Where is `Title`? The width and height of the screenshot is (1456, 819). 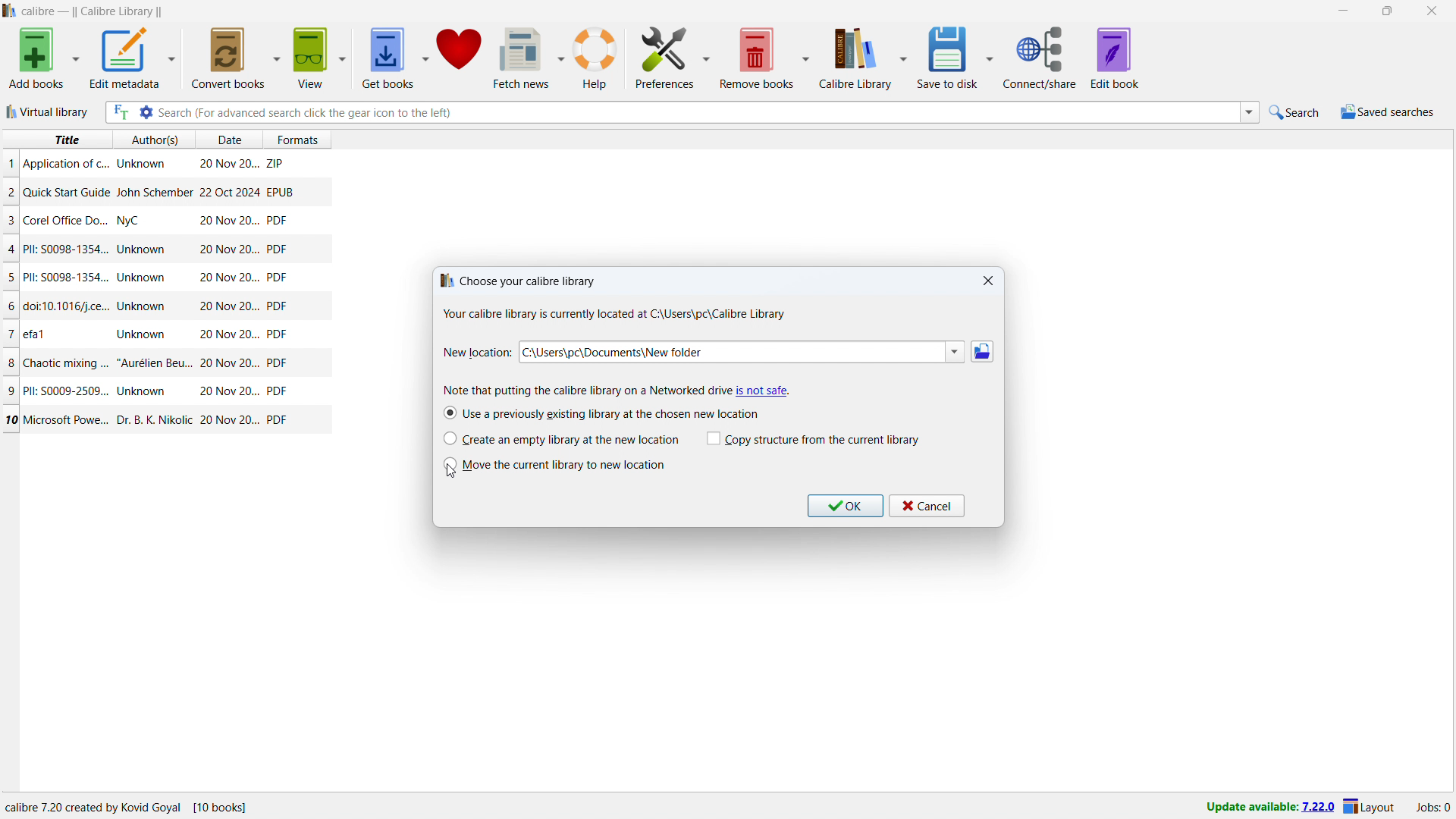 Title is located at coordinates (70, 420).